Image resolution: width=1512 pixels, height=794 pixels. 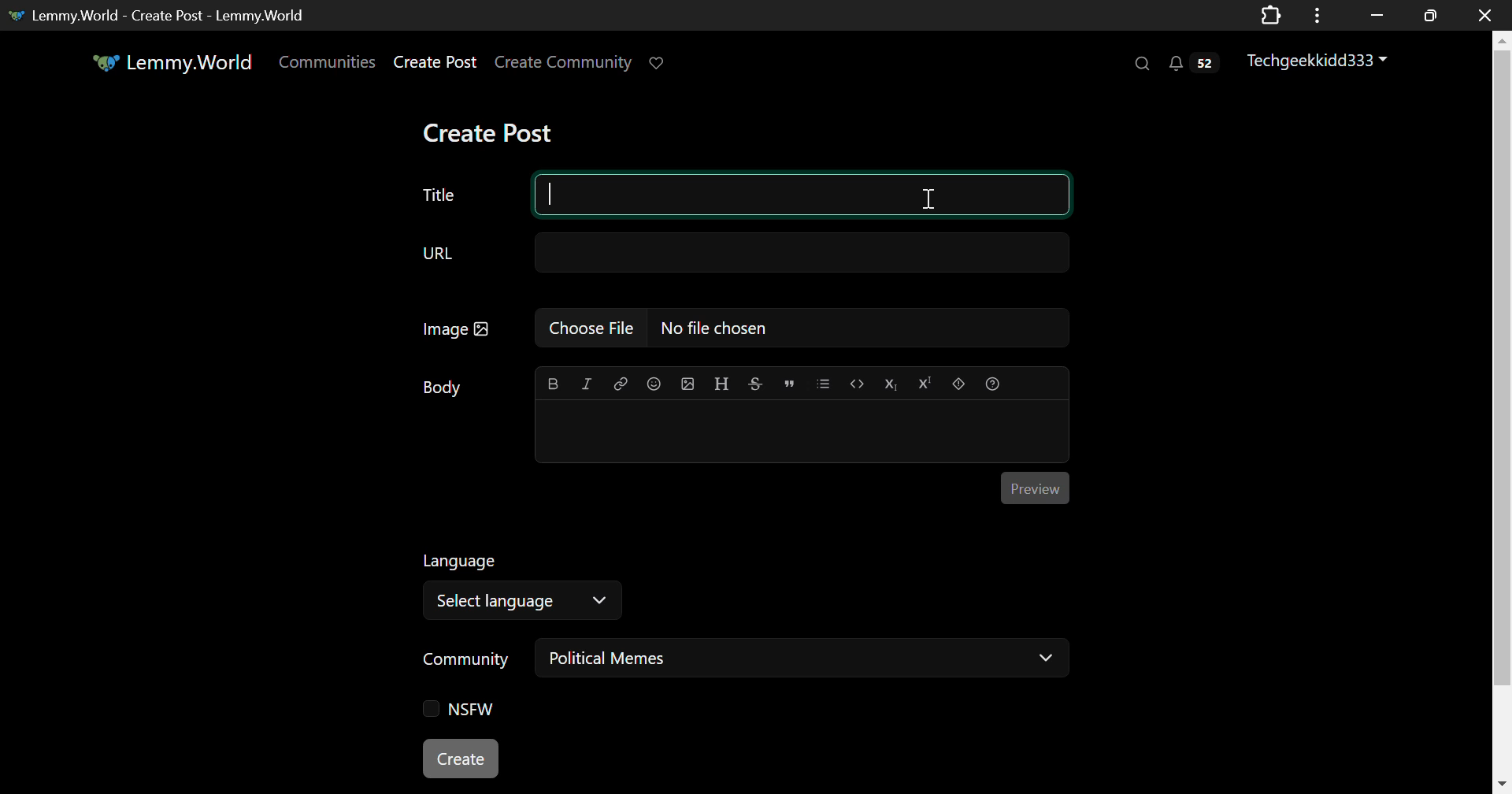 What do you see at coordinates (958, 382) in the screenshot?
I see `Spoiler` at bounding box center [958, 382].